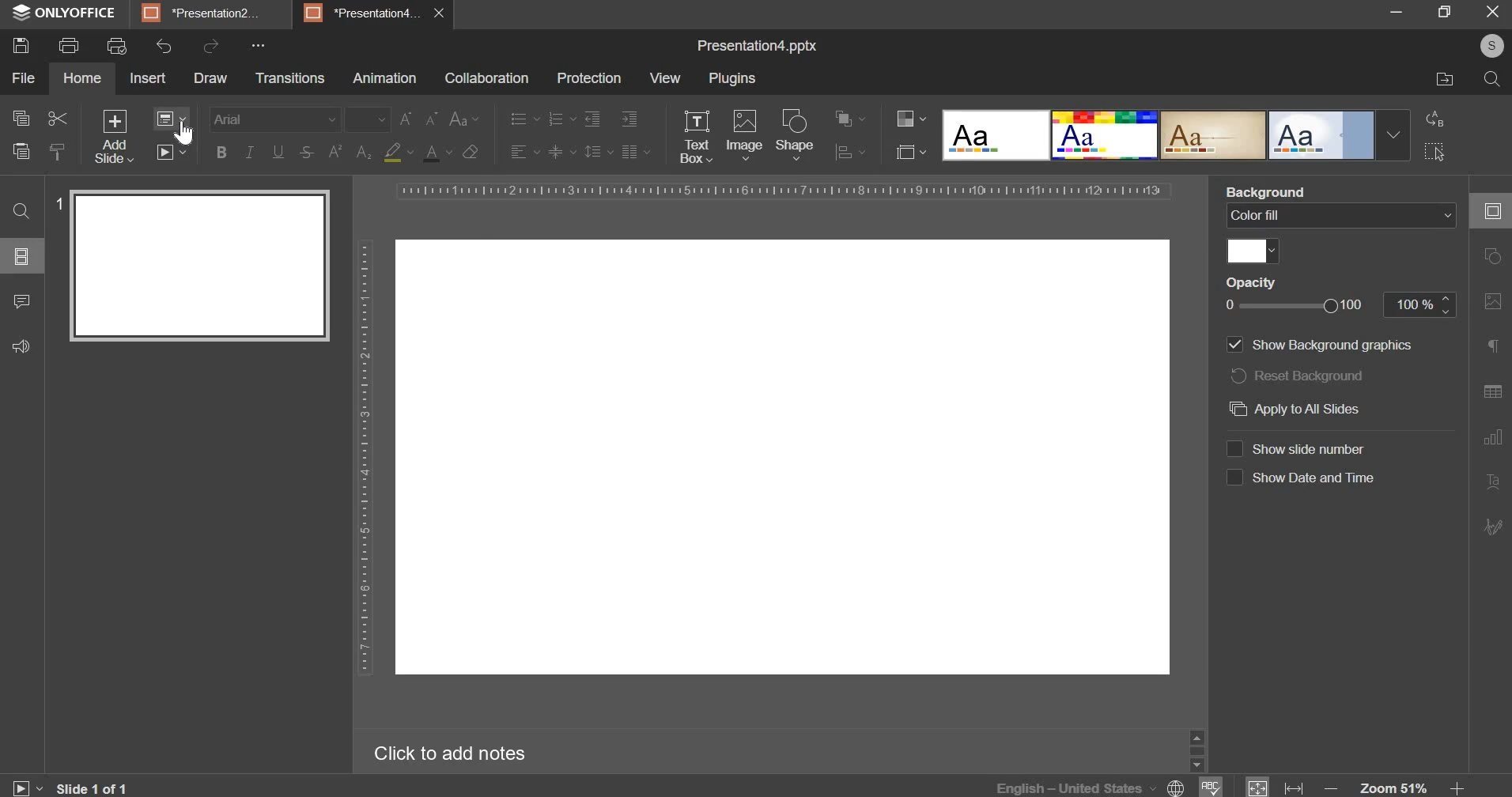 The height and width of the screenshot is (797, 1512). I want to click on font size, so click(369, 119).